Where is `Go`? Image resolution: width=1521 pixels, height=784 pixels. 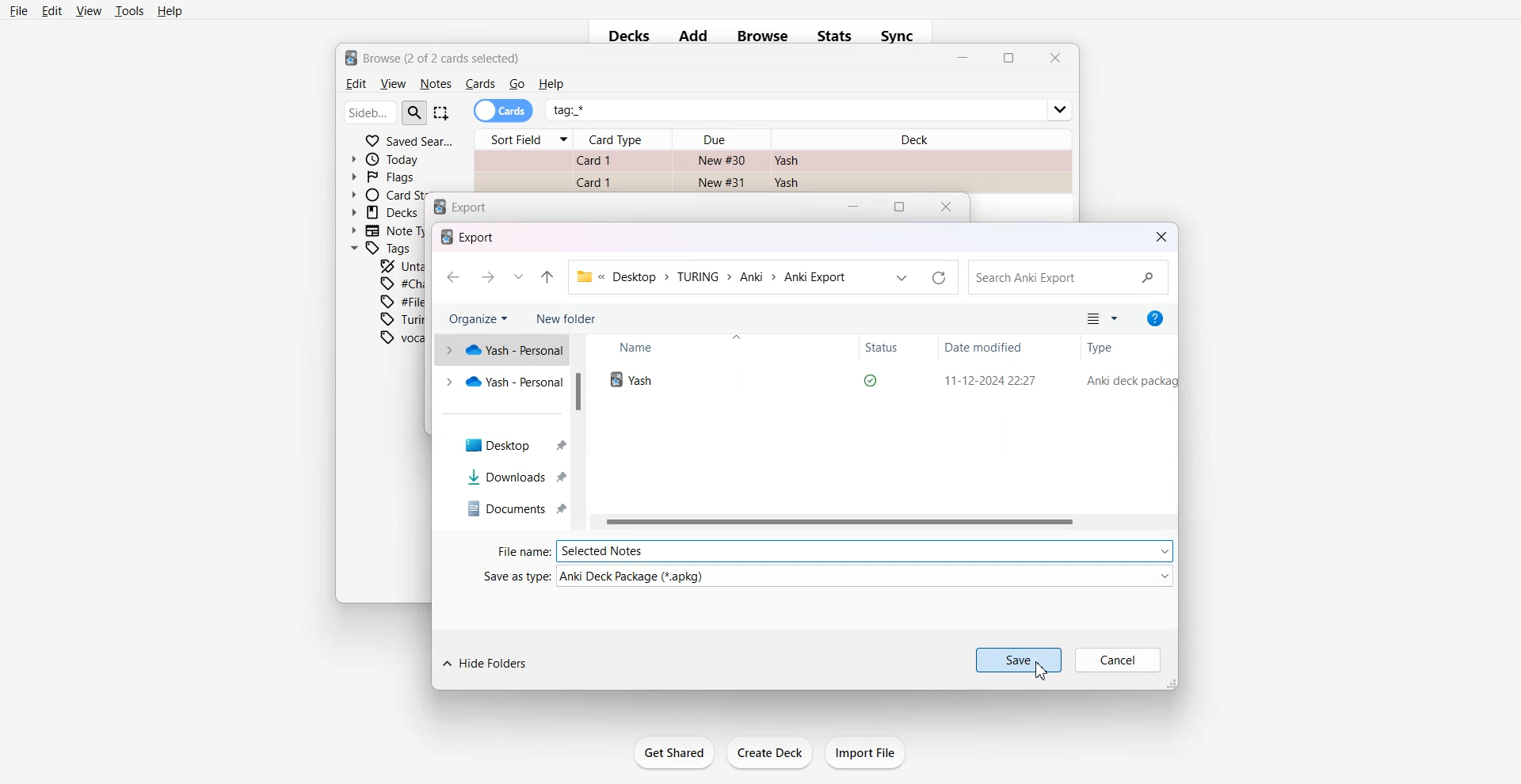 Go is located at coordinates (517, 84).